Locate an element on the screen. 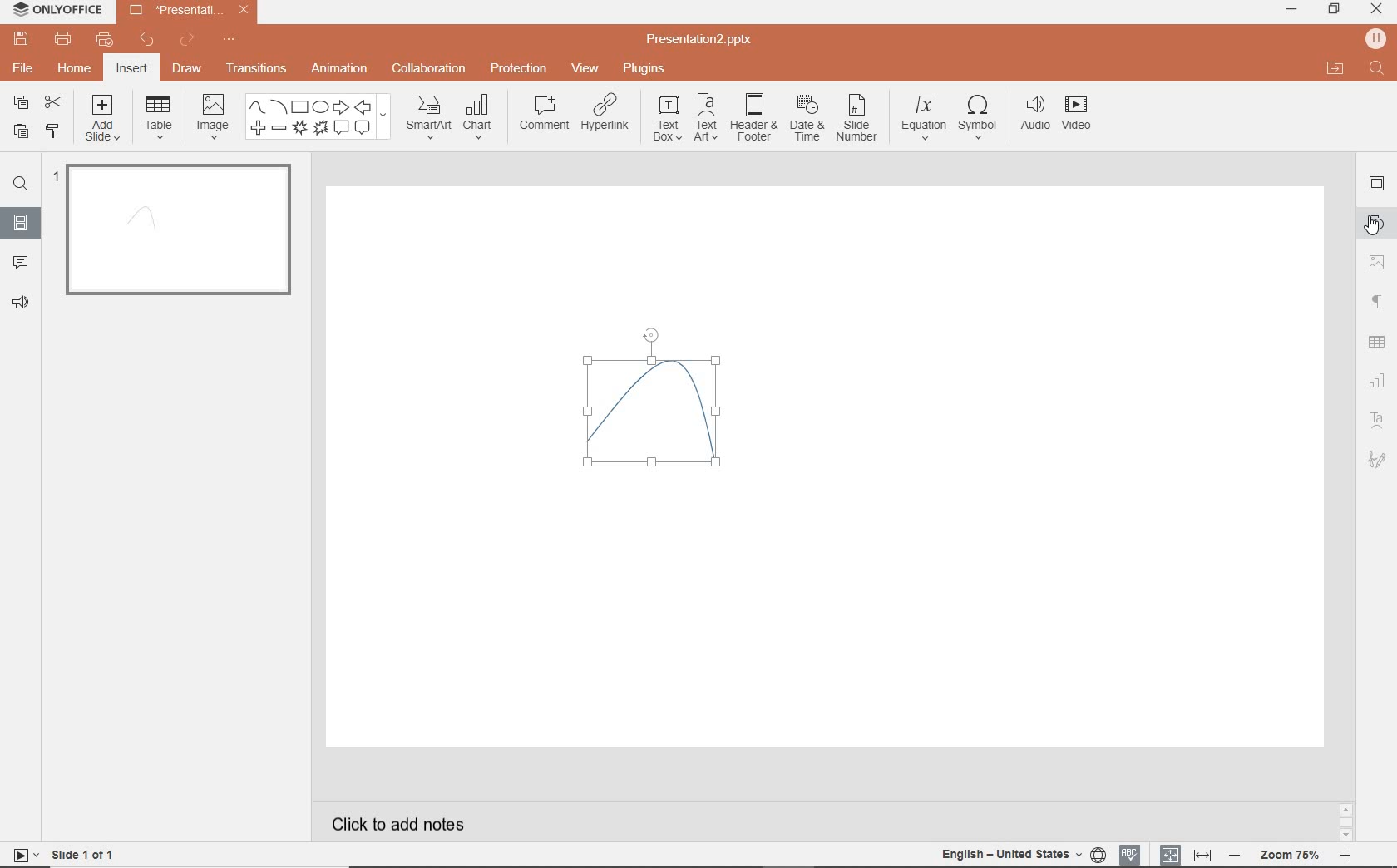 The image size is (1397, 868). image settings is located at coordinates (1377, 262).